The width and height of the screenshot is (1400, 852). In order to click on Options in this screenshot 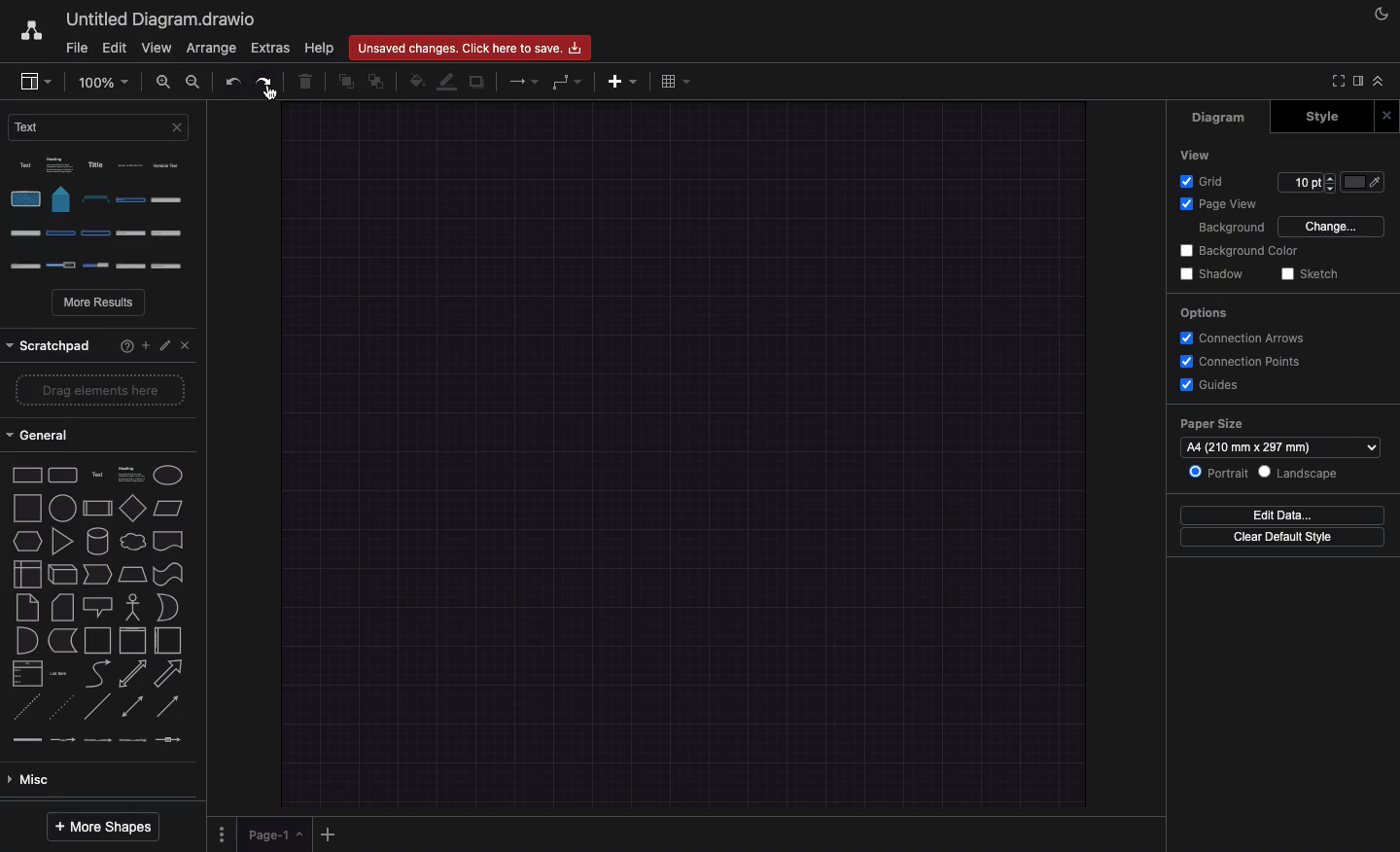, I will do `click(221, 832)`.